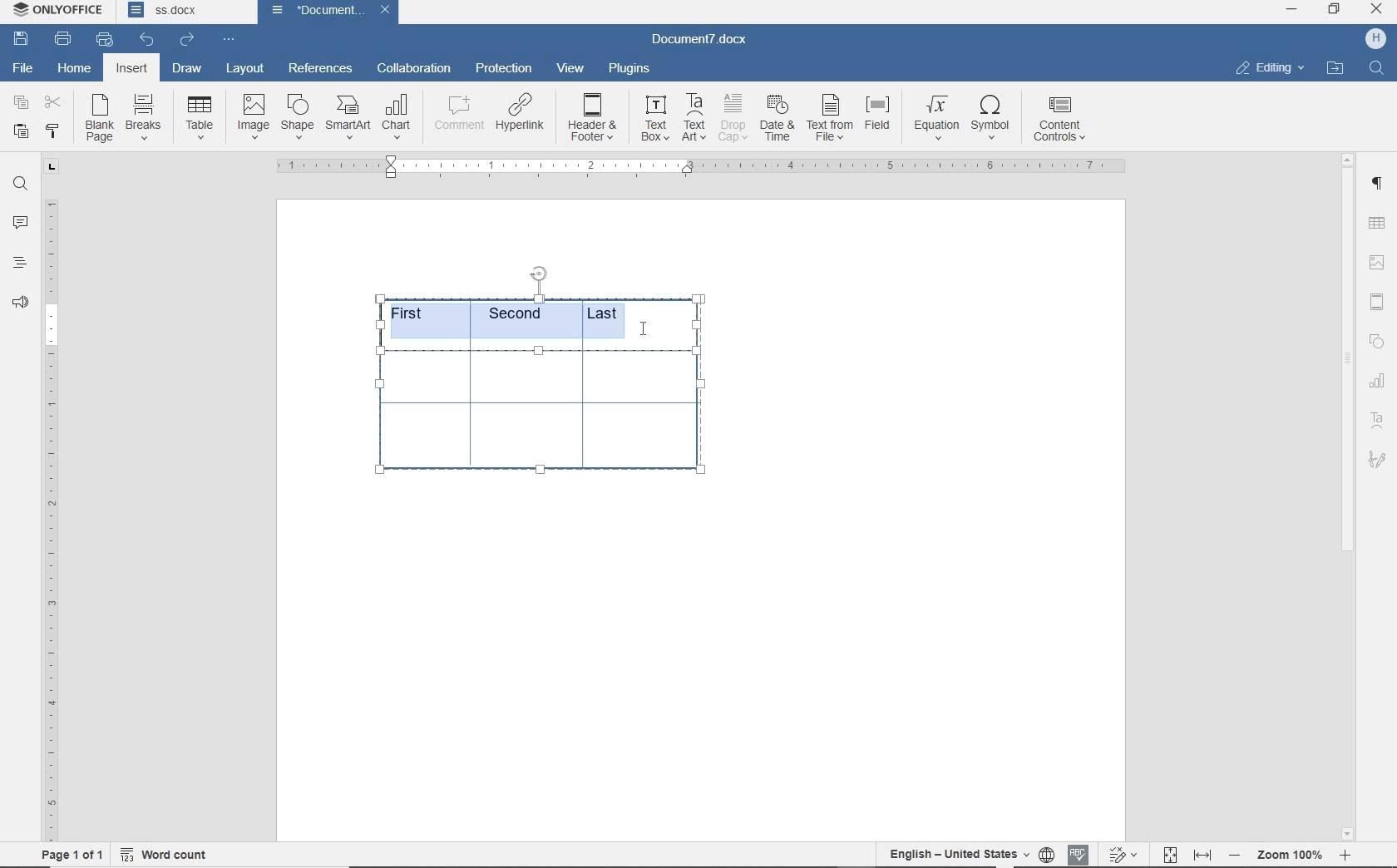 This screenshot has width=1397, height=868. What do you see at coordinates (248, 68) in the screenshot?
I see `layout` at bounding box center [248, 68].